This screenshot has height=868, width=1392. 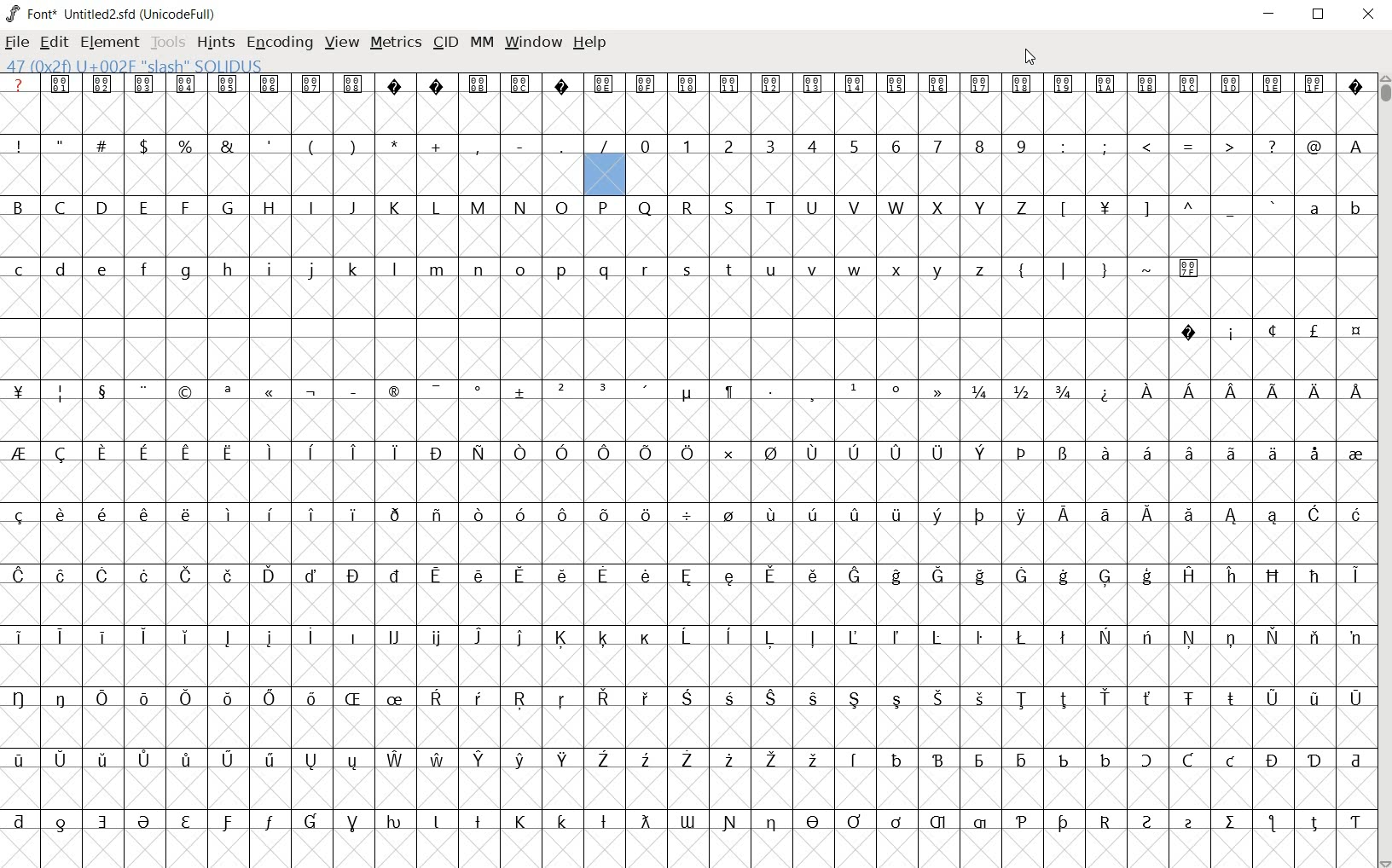 What do you see at coordinates (506, 268) in the screenshot?
I see `small letters c-z` at bounding box center [506, 268].